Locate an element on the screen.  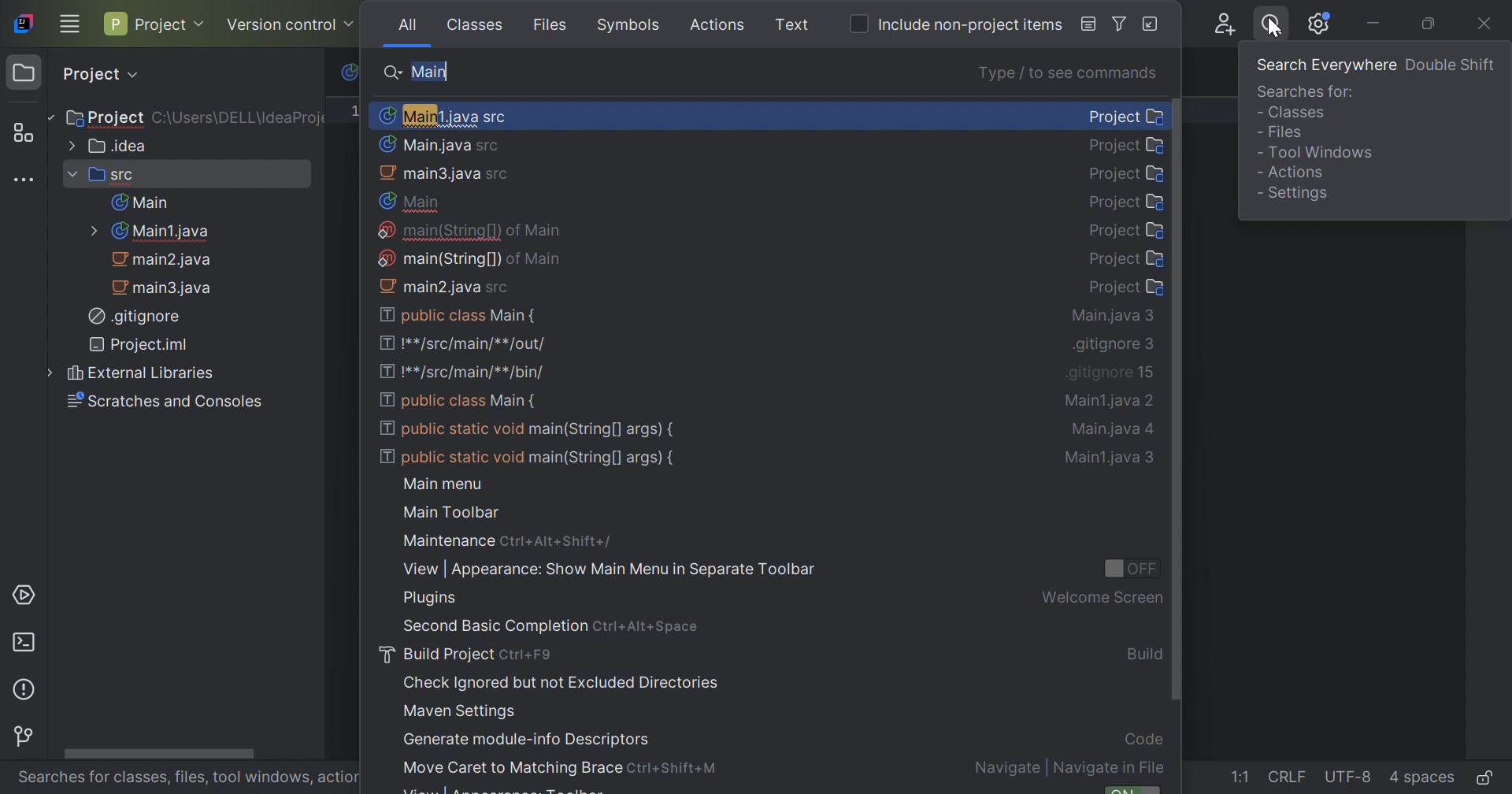
1:1 is located at coordinates (1241, 777).